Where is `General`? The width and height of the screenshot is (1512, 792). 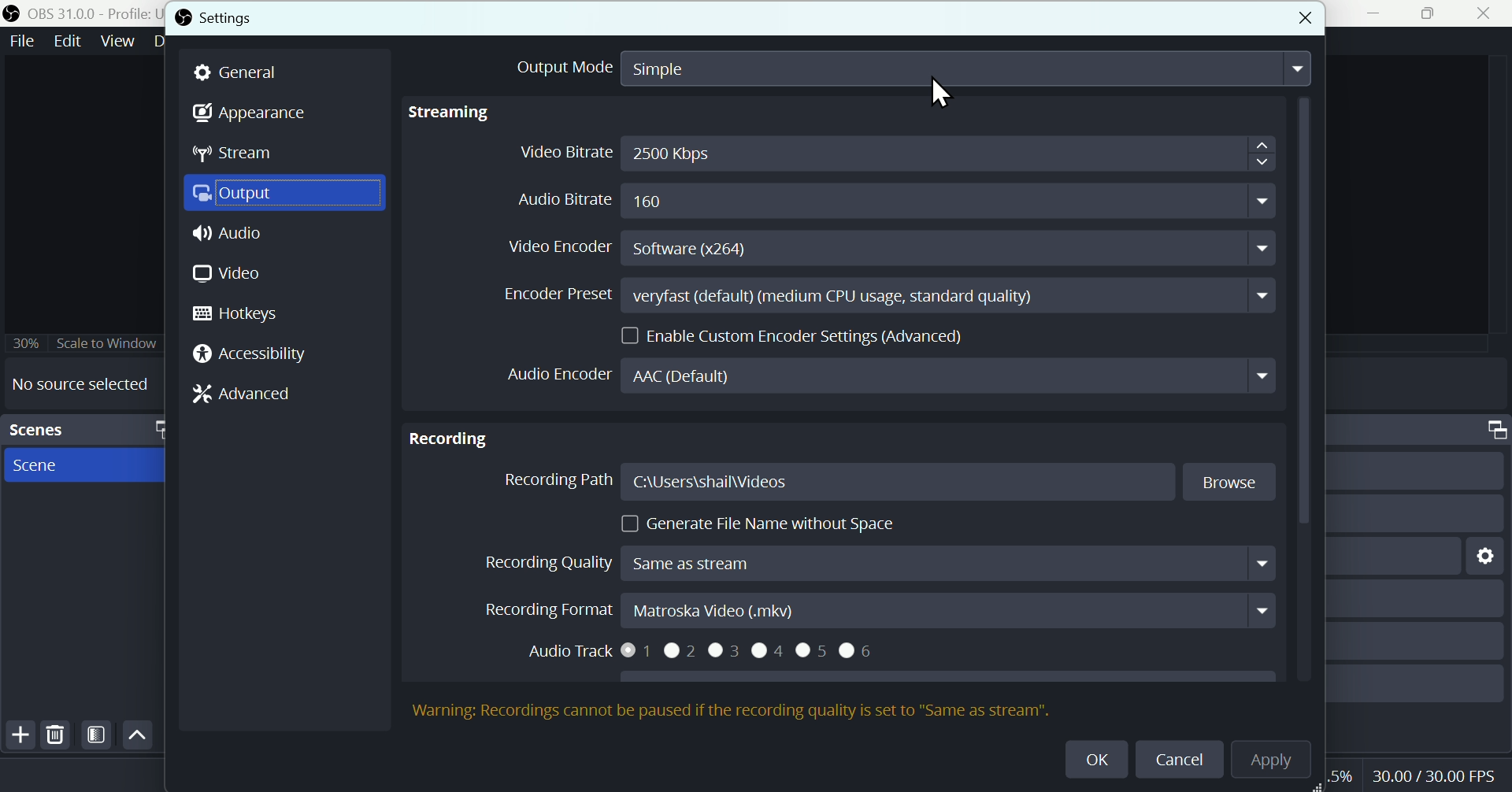 General is located at coordinates (239, 74).